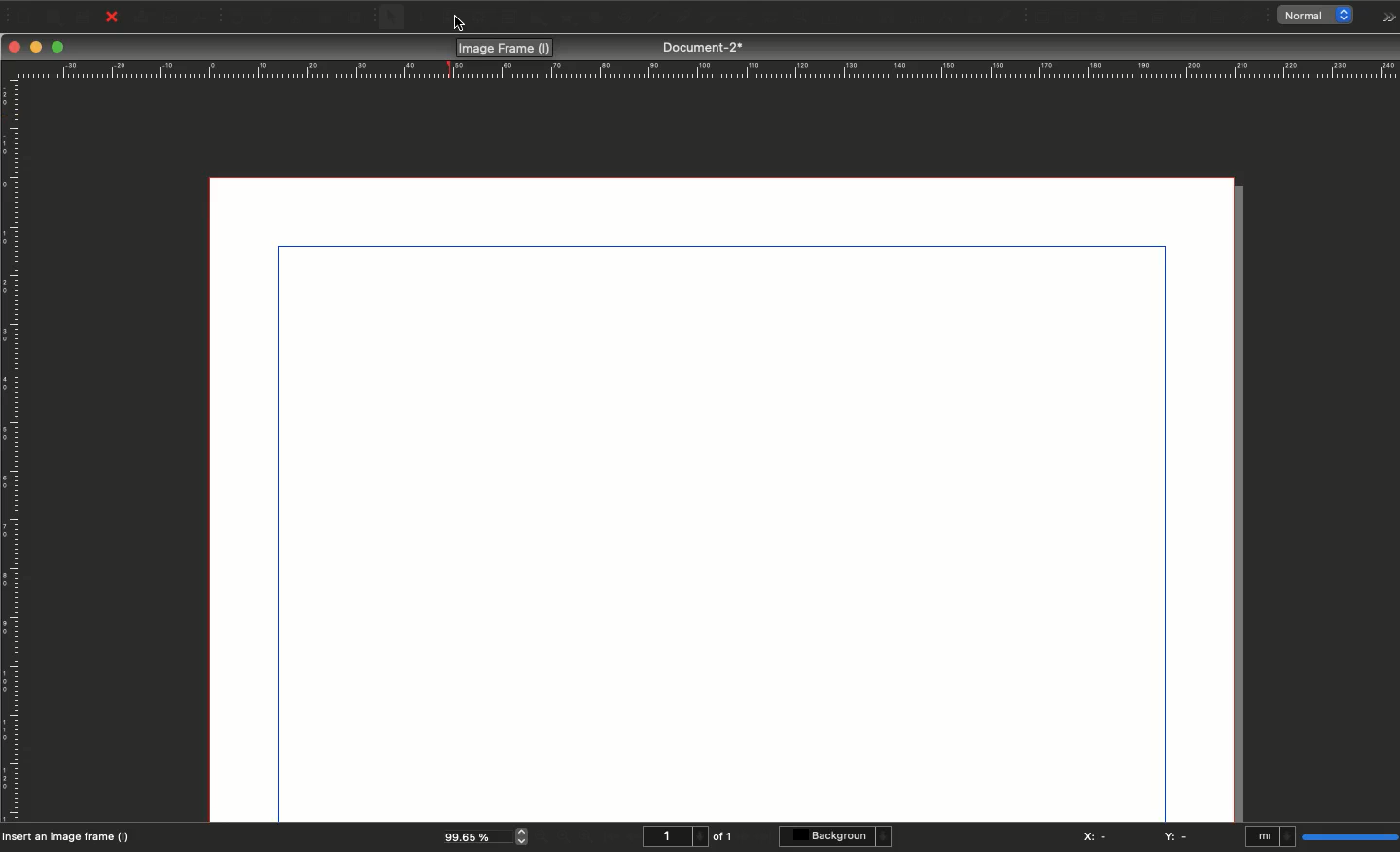 The image size is (1400, 852). Describe the element at coordinates (327, 18) in the screenshot. I see `Copy` at that location.